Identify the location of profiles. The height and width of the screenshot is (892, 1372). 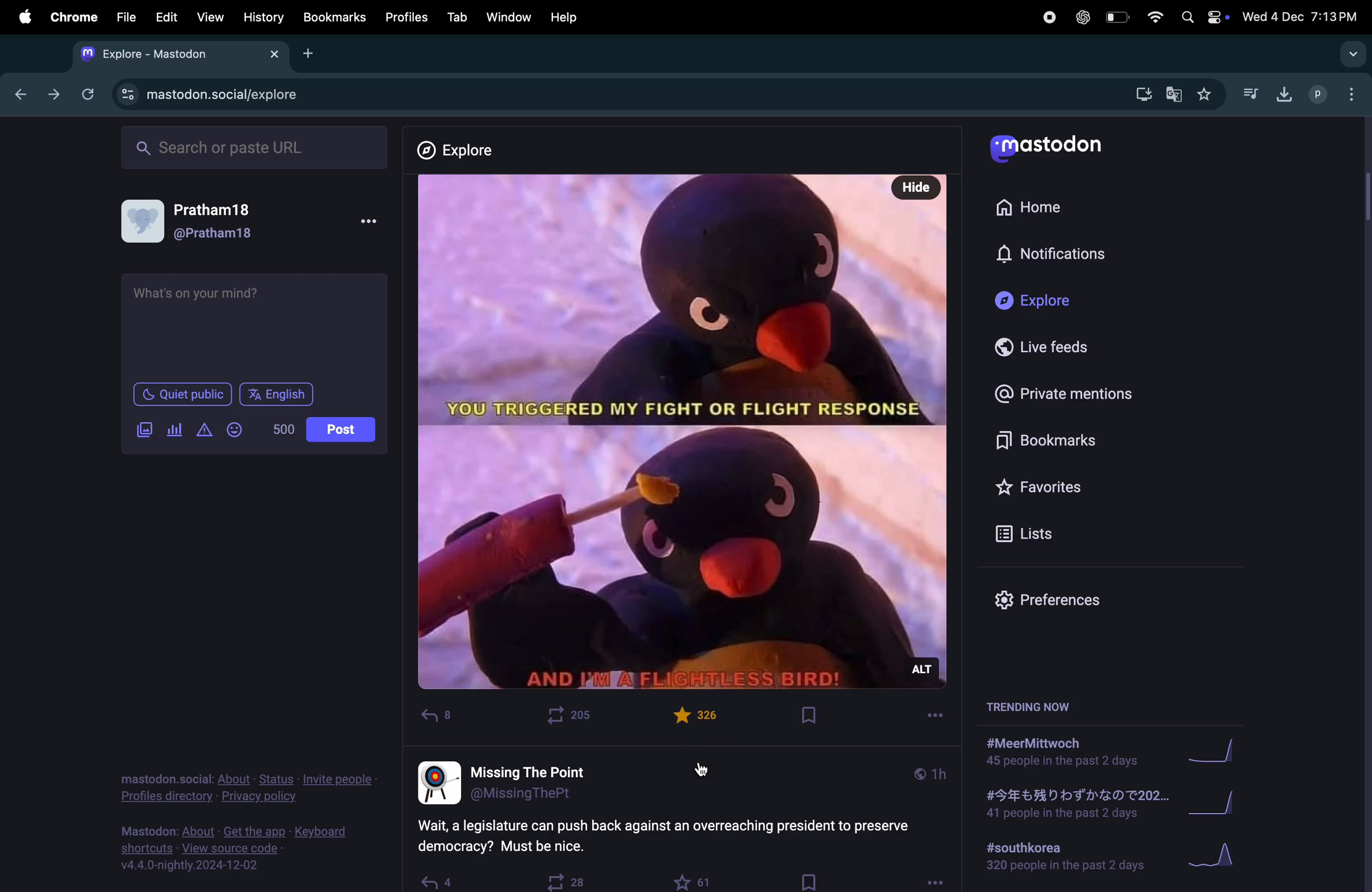
(409, 18).